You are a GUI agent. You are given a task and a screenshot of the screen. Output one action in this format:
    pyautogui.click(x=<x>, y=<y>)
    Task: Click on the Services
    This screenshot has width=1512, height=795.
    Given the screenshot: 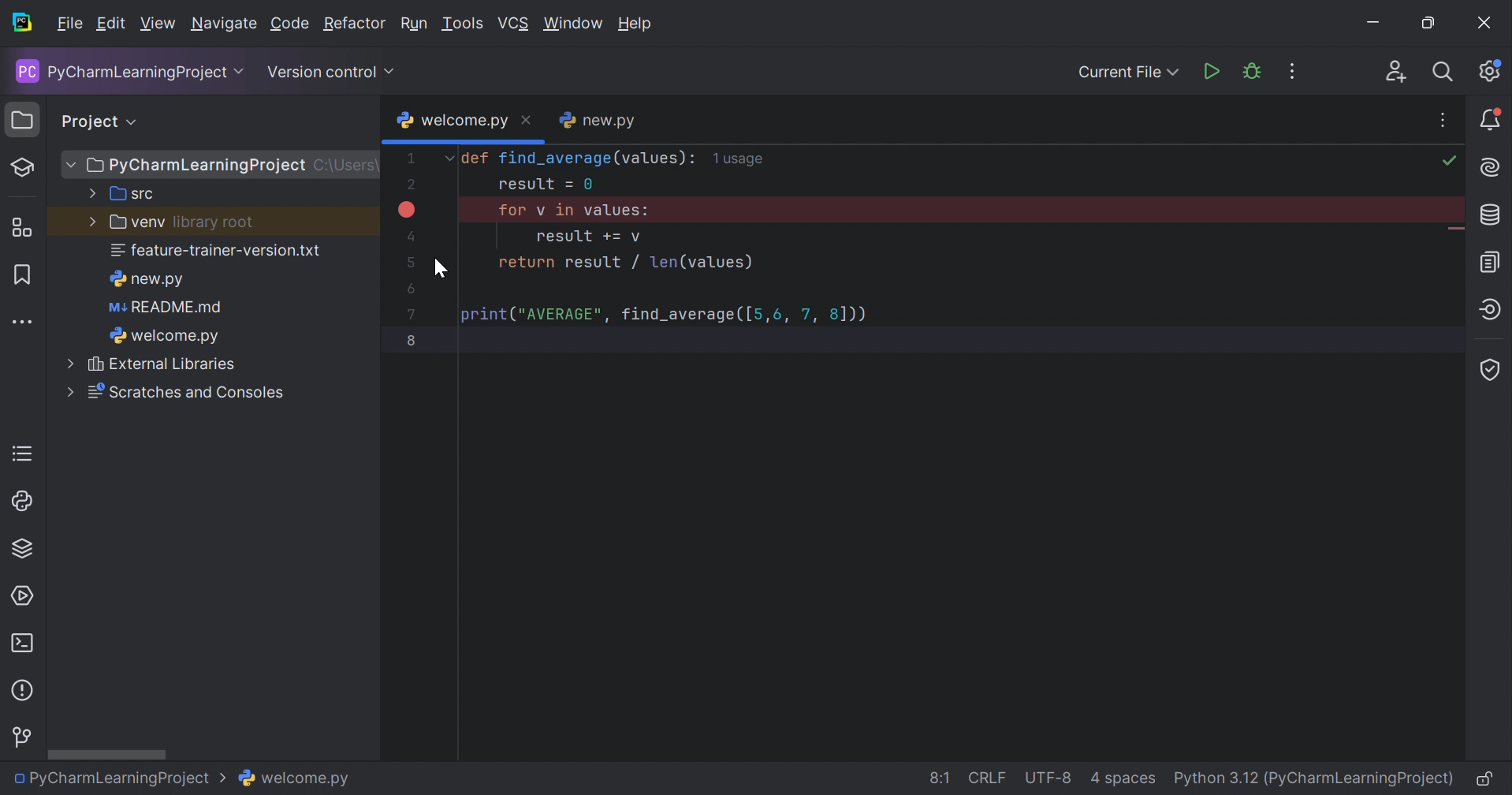 What is the action you would take?
    pyautogui.click(x=20, y=596)
    